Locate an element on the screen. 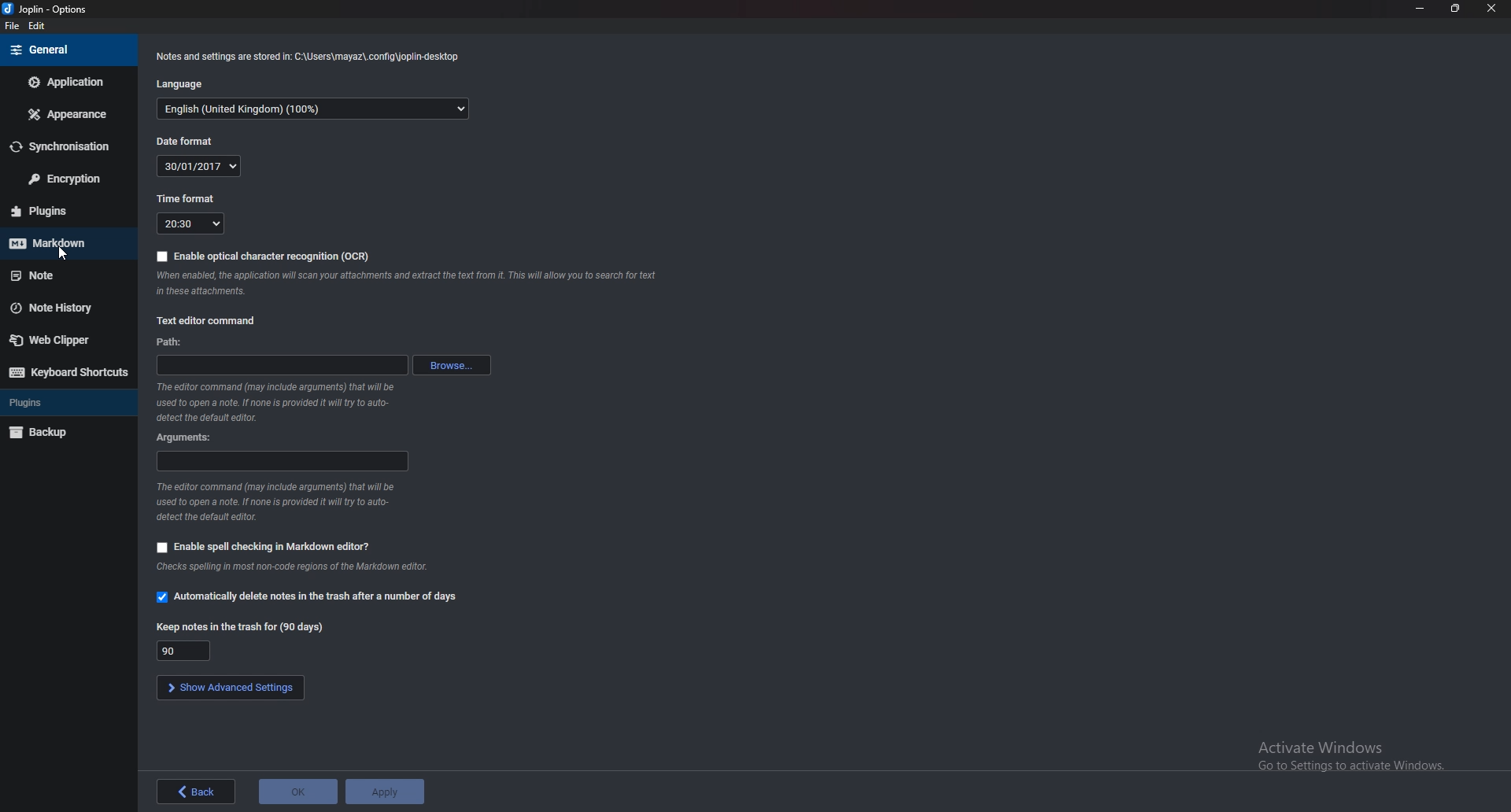 The height and width of the screenshot is (812, 1511). markdown is located at coordinates (59, 244).